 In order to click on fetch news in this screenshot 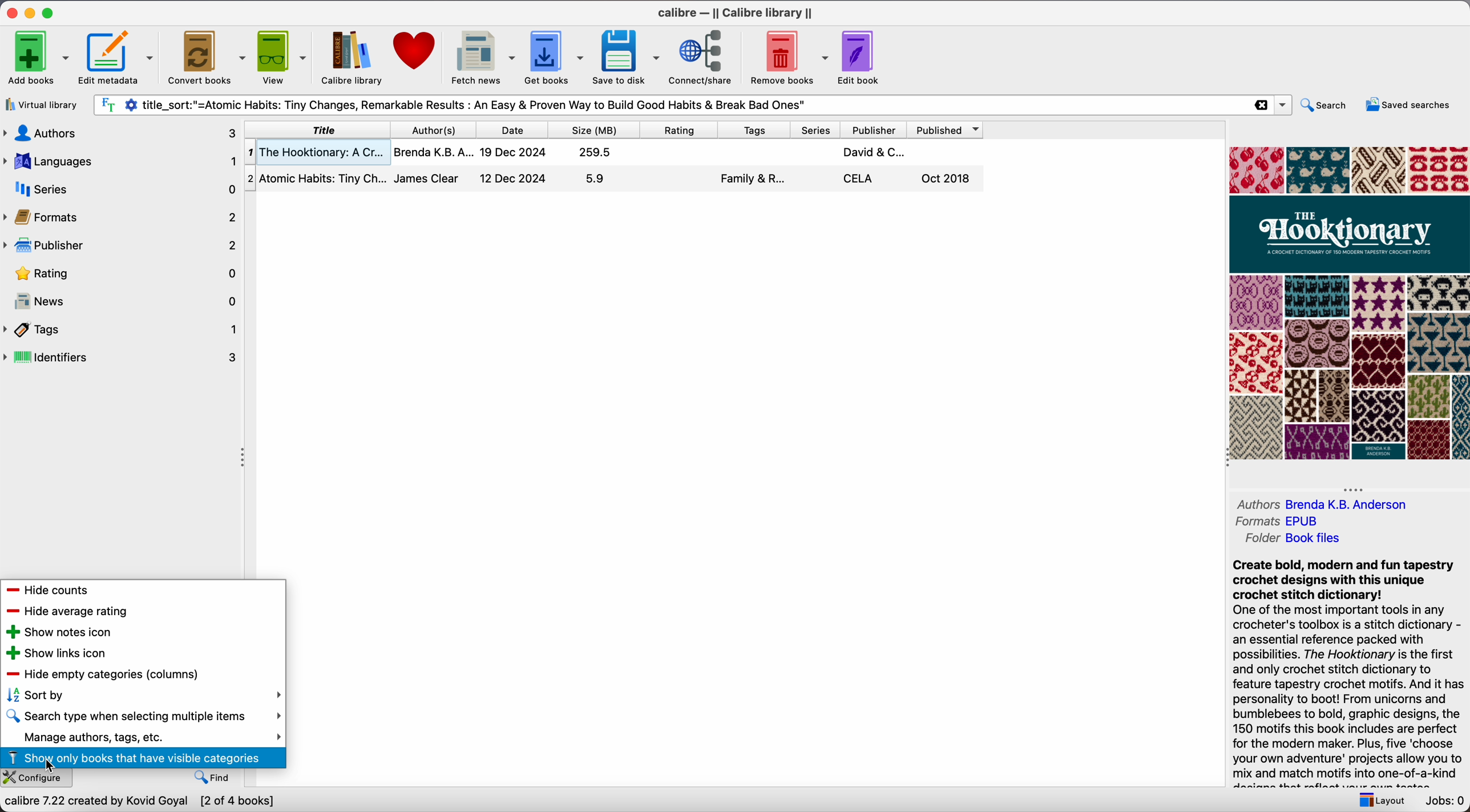, I will do `click(482, 56)`.